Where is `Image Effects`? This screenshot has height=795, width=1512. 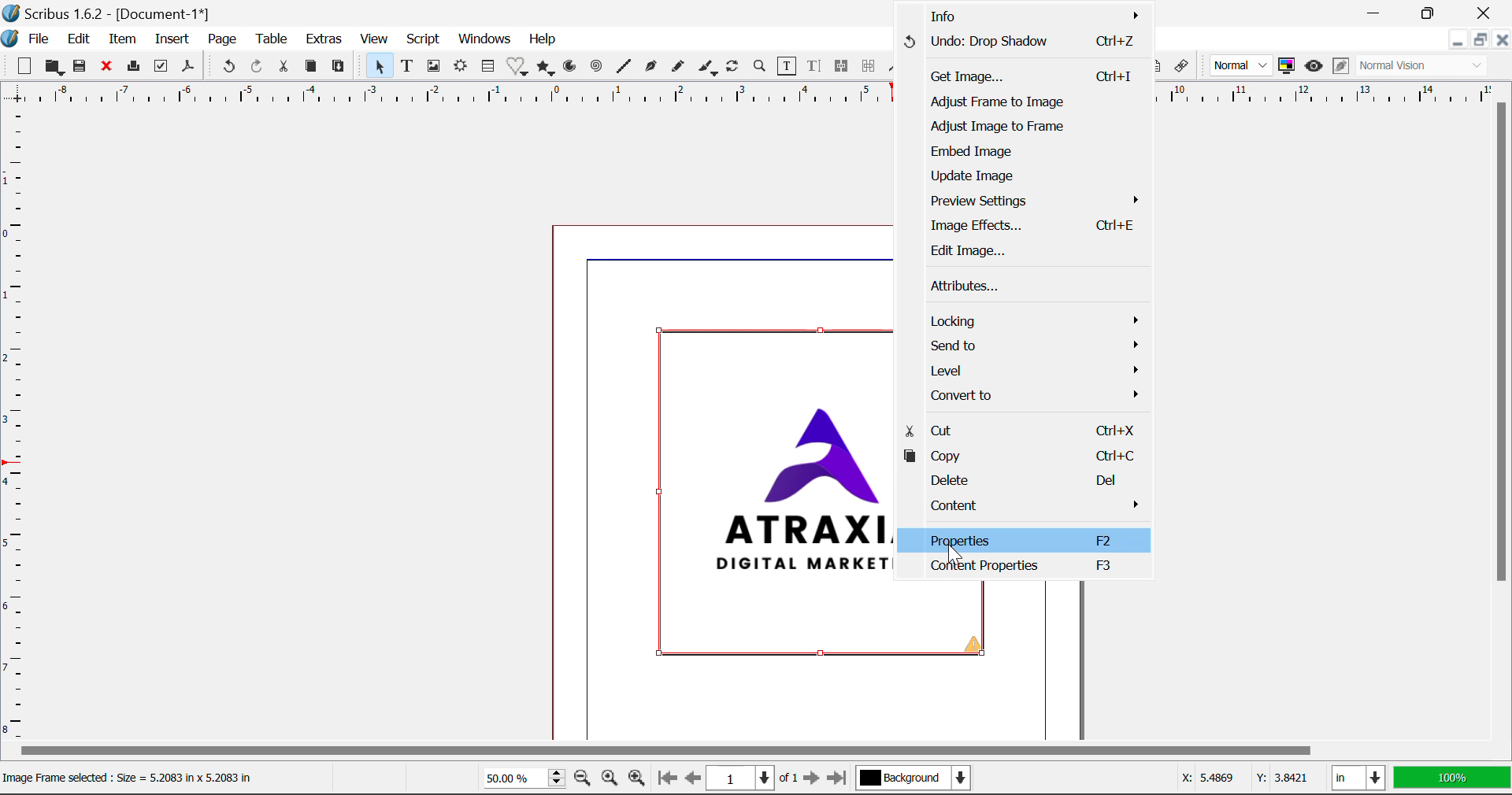
Image Effects is located at coordinates (1034, 227).